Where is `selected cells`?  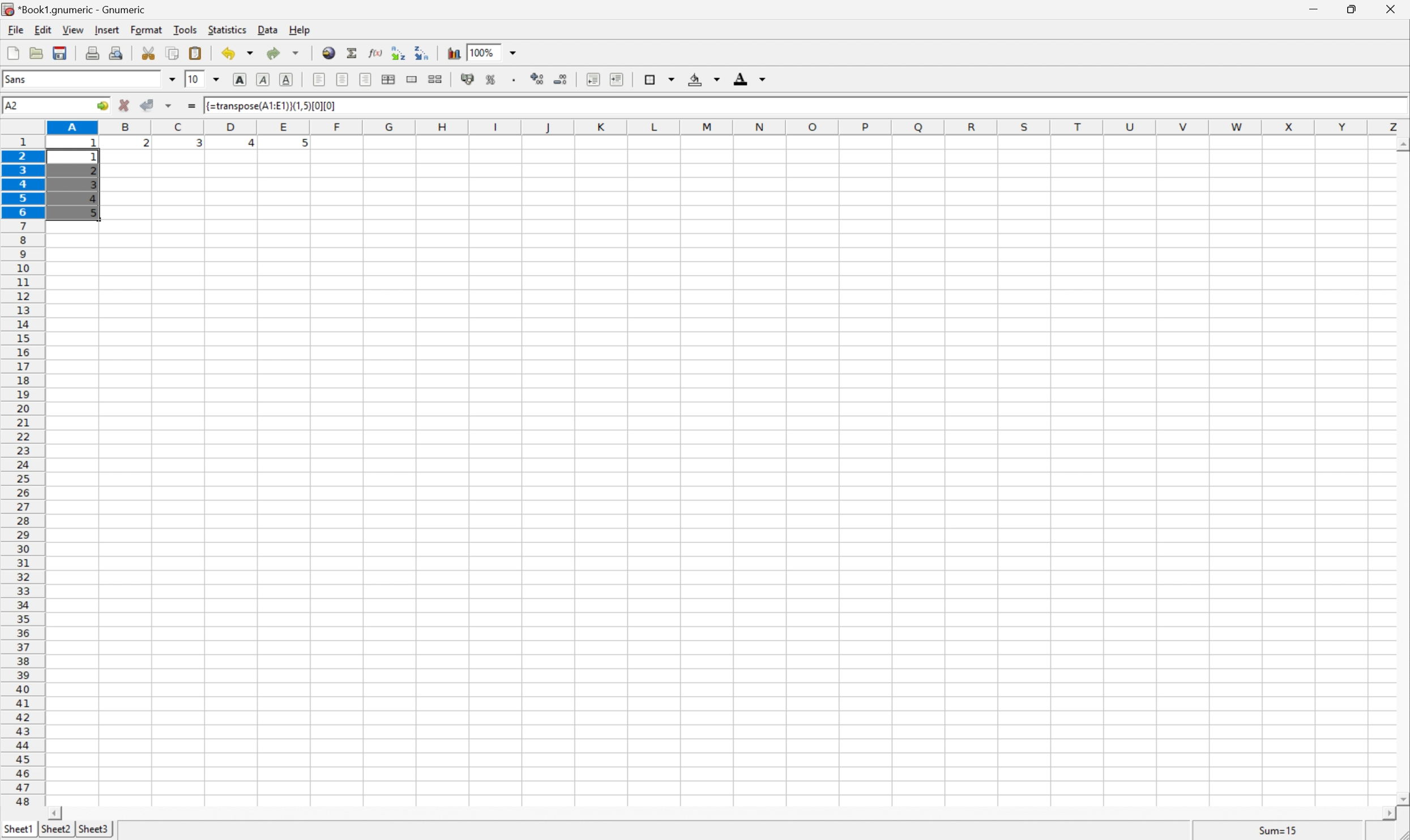
selected cells is located at coordinates (66, 192).